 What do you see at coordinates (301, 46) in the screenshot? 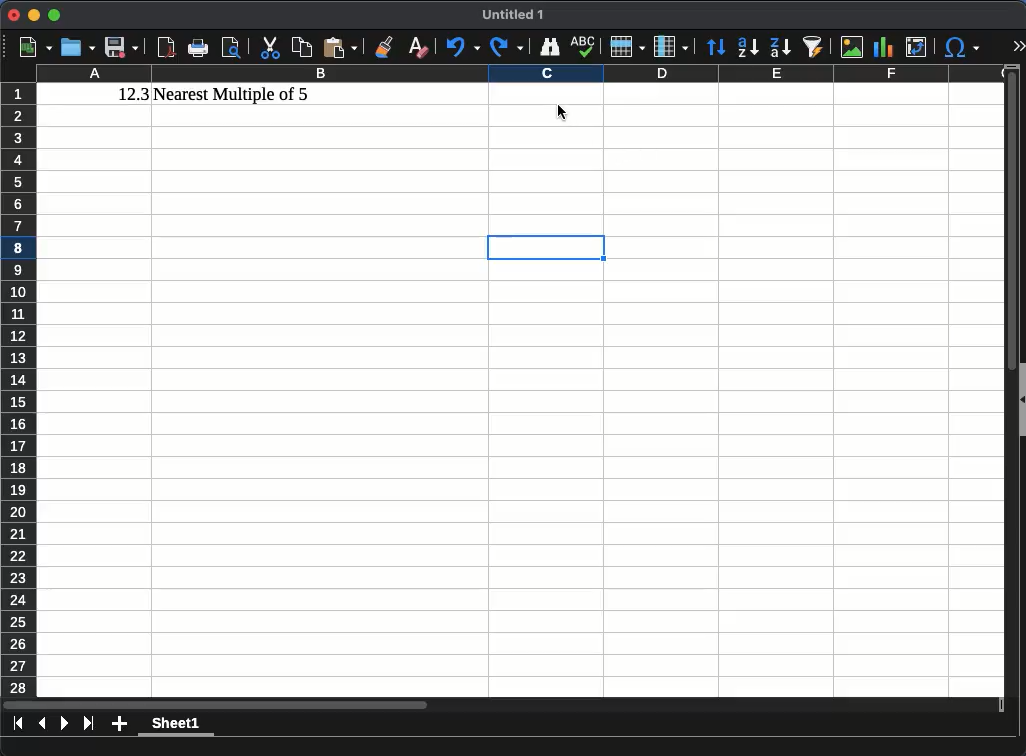
I see `copy` at bounding box center [301, 46].